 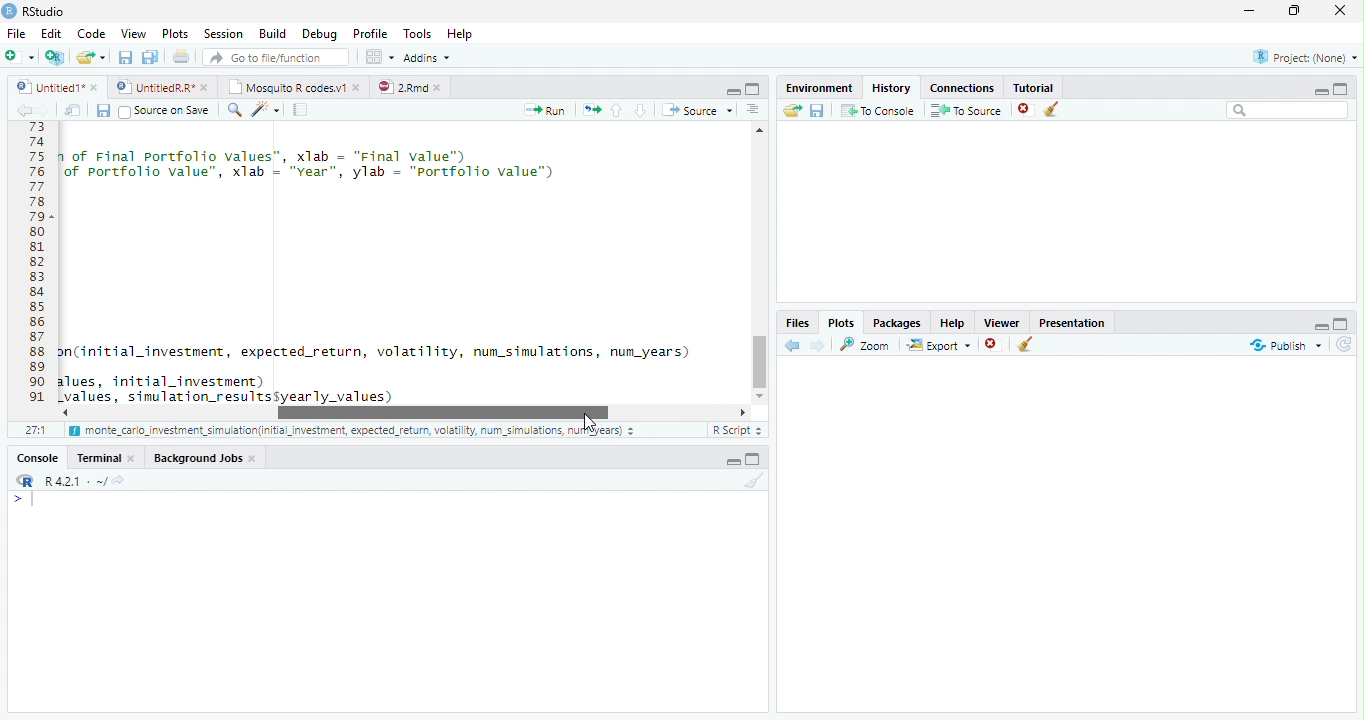 What do you see at coordinates (590, 110) in the screenshot?
I see `Re-run the previous code region` at bounding box center [590, 110].